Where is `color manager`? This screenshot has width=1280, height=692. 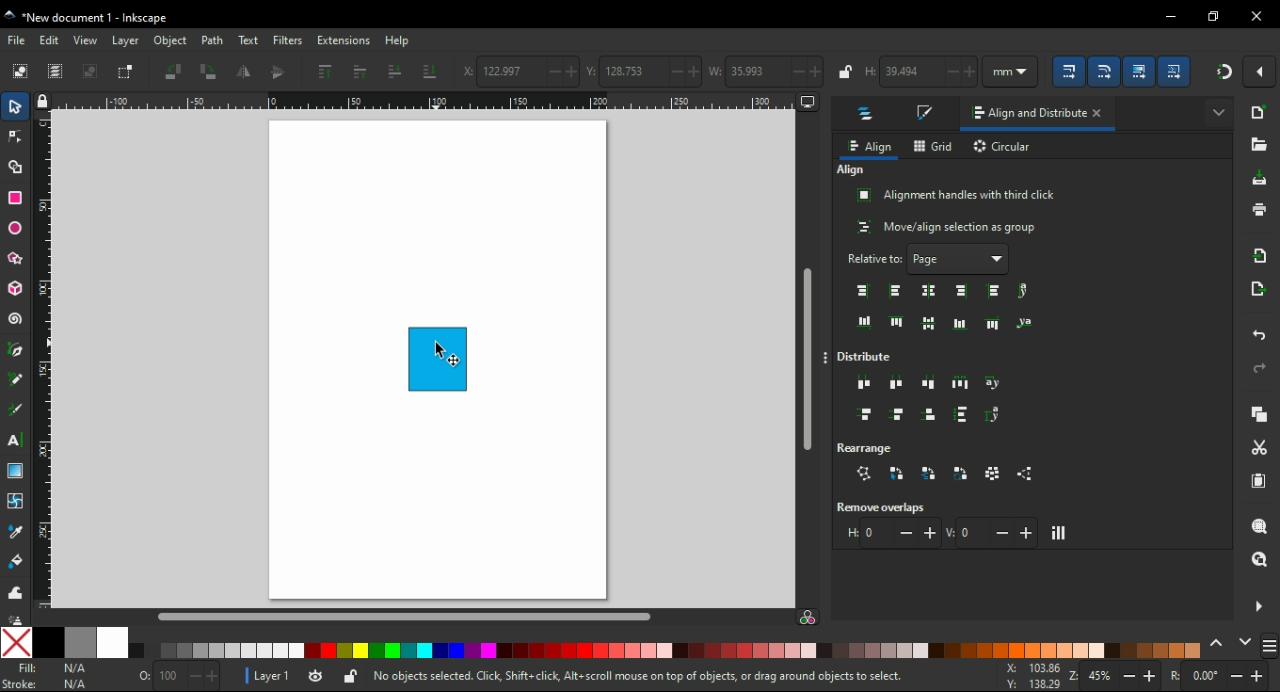
color manager is located at coordinates (814, 620).